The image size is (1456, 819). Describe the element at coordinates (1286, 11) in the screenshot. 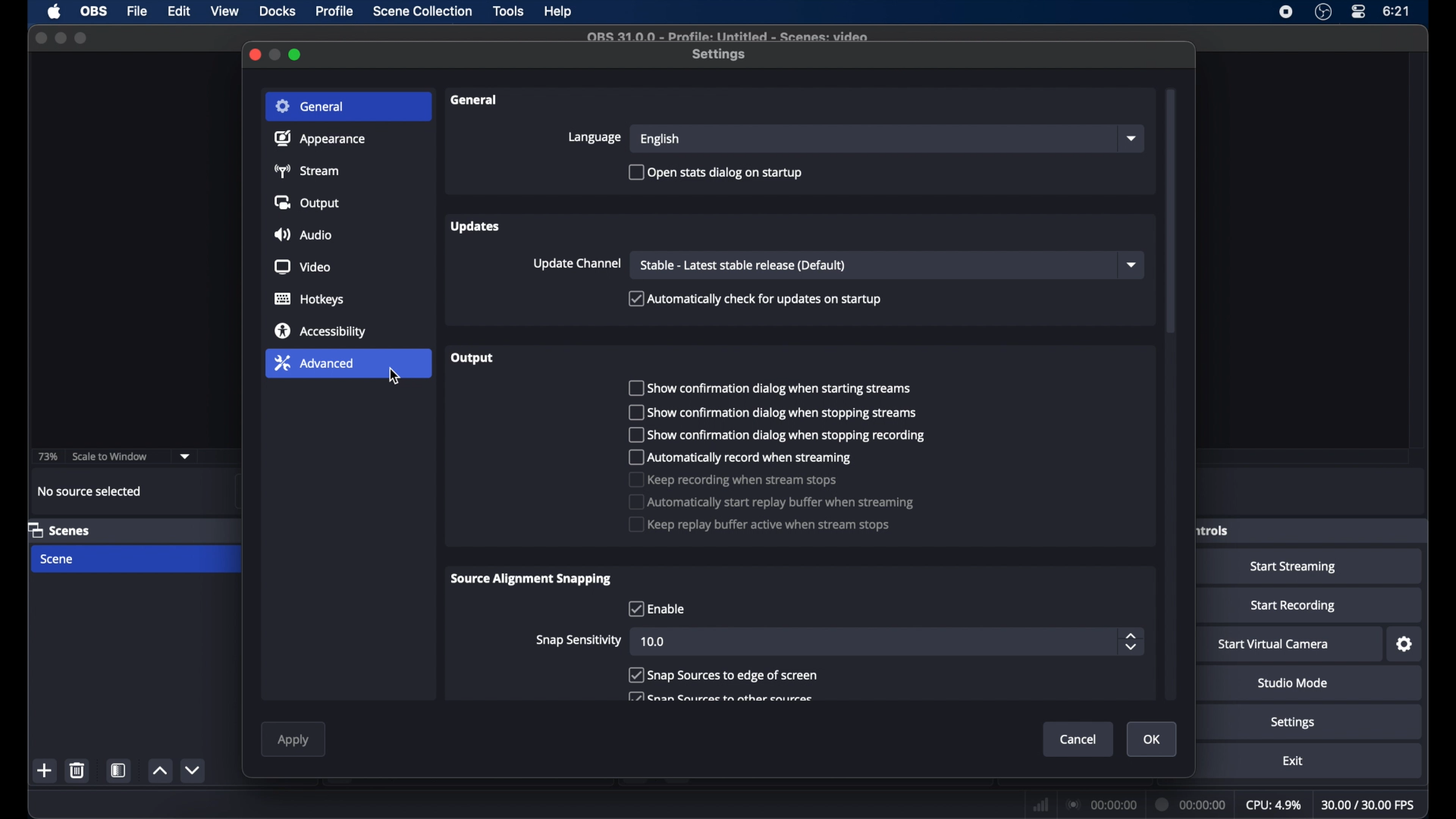

I see `screen recorder icon` at that location.